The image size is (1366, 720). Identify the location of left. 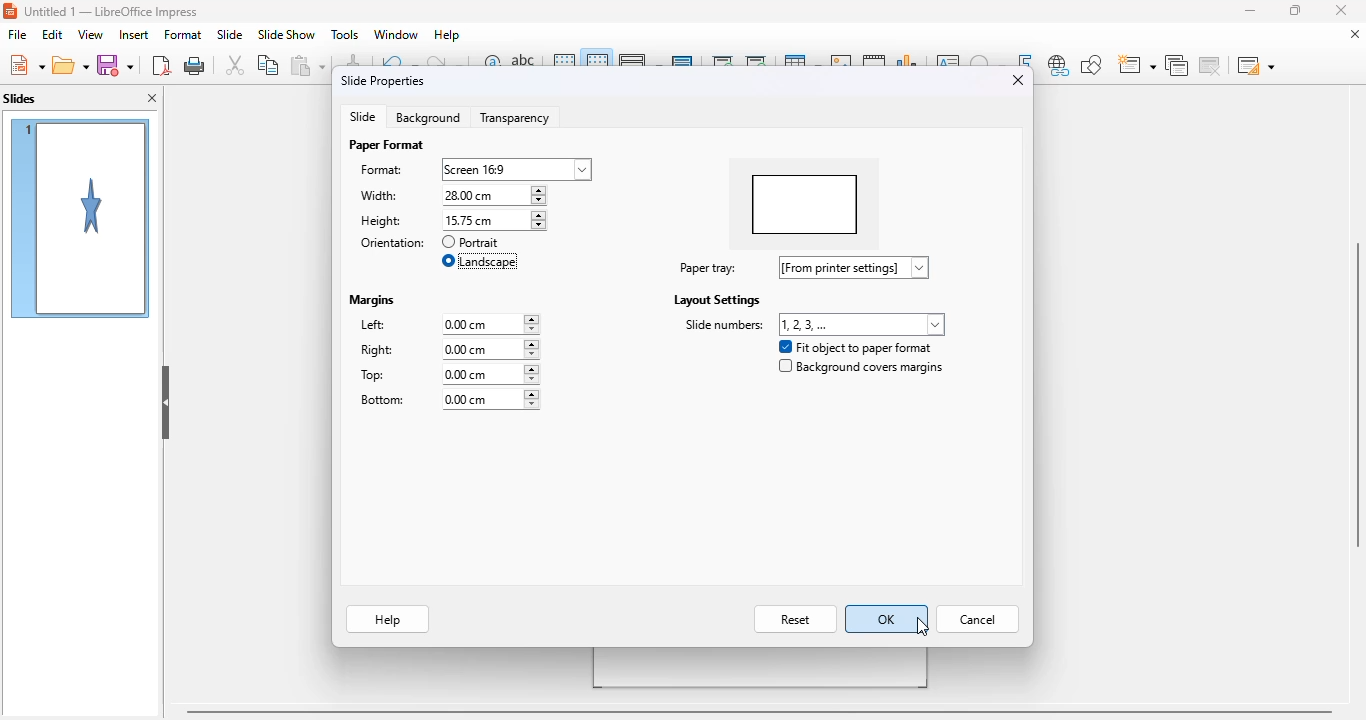
(384, 326).